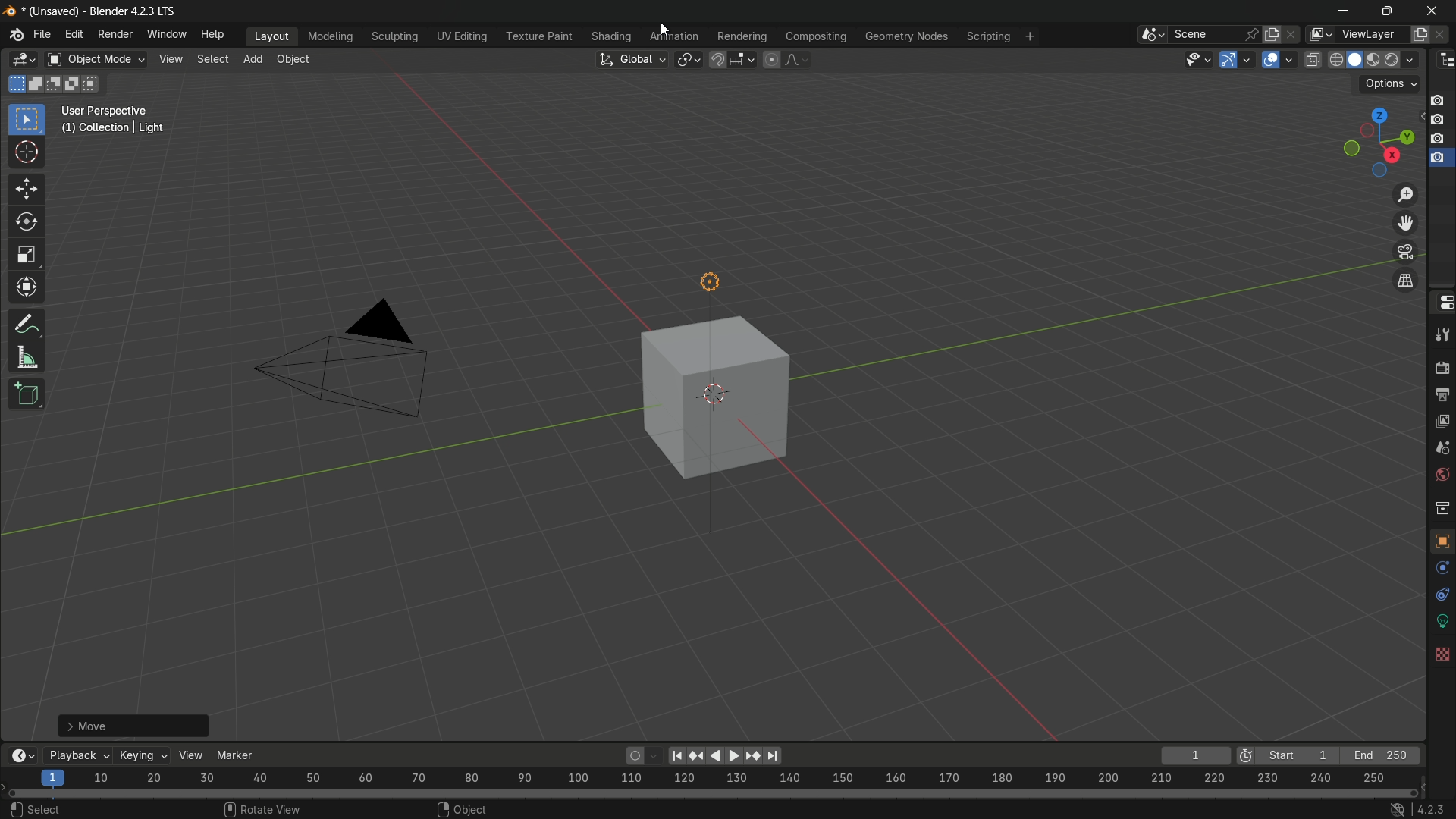  What do you see at coordinates (742, 36) in the screenshot?
I see `rendering menu` at bounding box center [742, 36].